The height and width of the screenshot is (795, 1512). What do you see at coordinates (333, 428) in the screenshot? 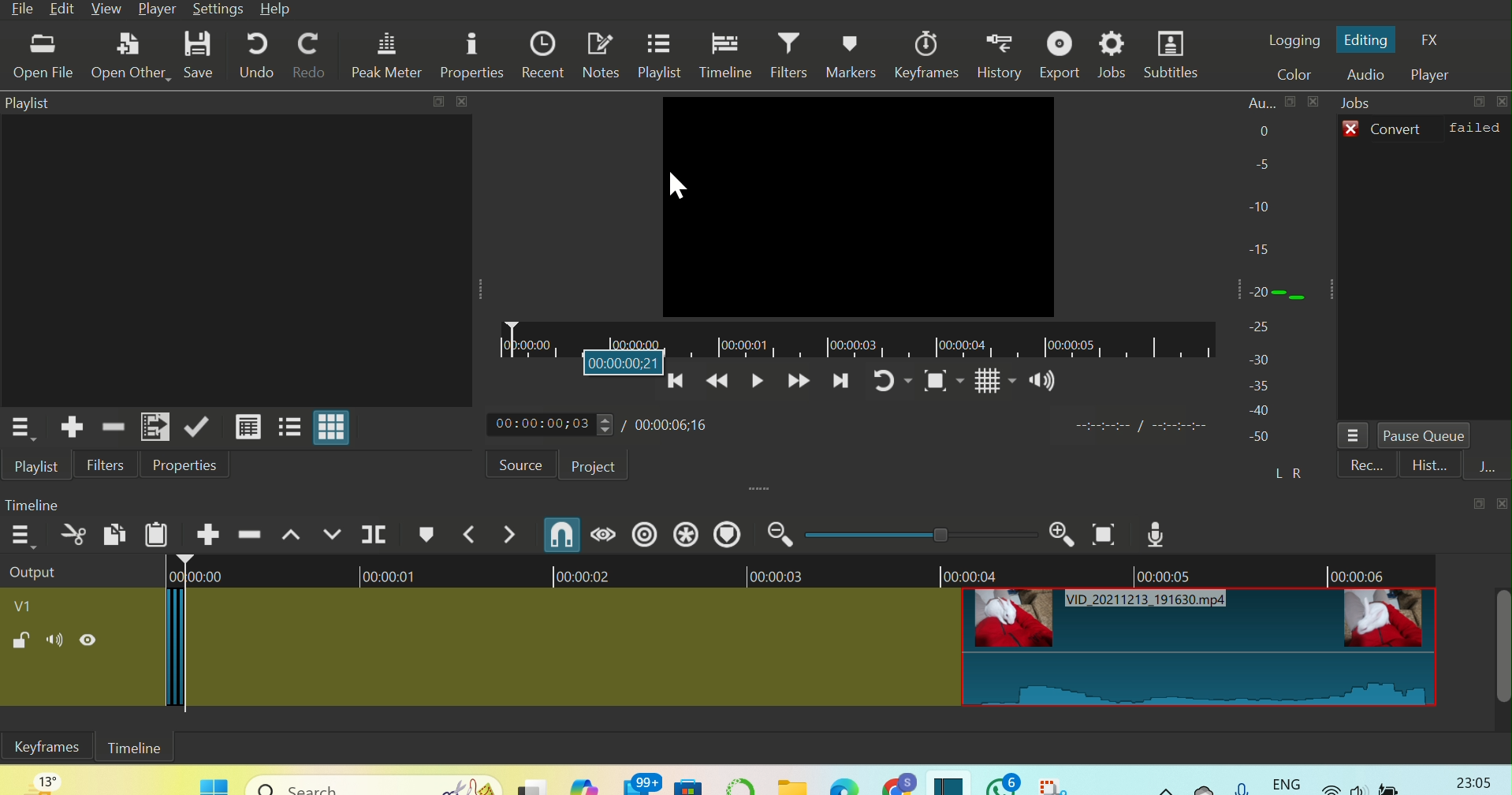
I see `View as list` at bounding box center [333, 428].